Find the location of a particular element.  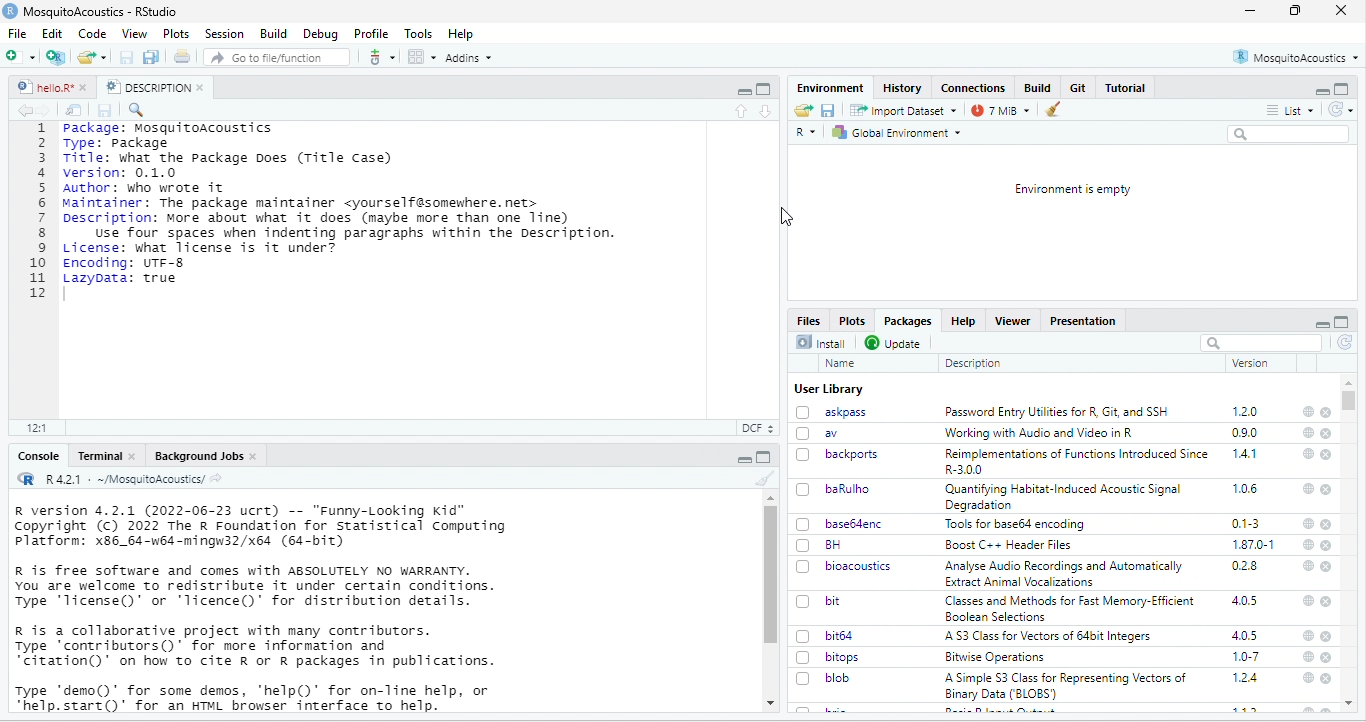

Addins is located at coordinates (469, 57).